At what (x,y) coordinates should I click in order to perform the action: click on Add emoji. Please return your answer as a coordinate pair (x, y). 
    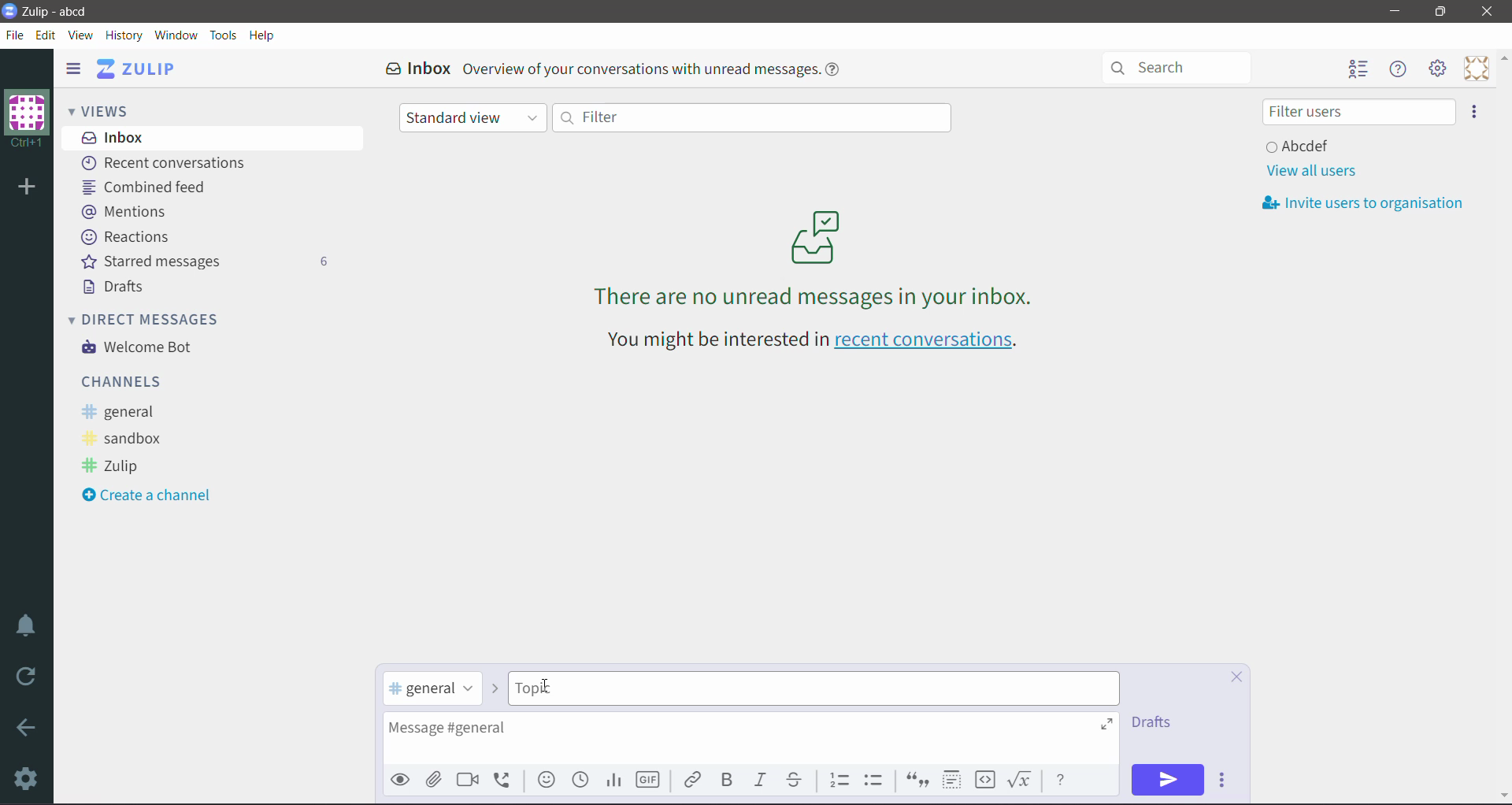
    Looking at the image, I should click on (547, 780).